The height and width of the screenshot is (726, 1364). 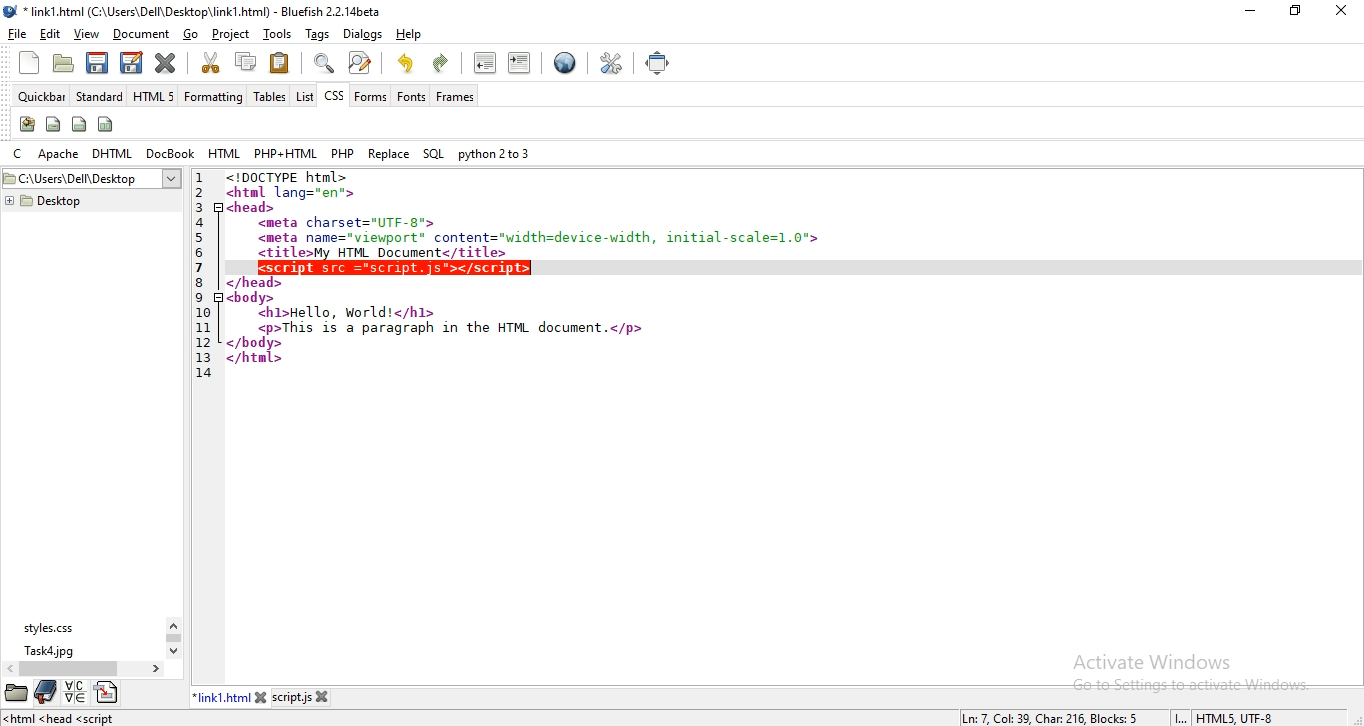 I want to click on fonts, so click(x=410, y=96).